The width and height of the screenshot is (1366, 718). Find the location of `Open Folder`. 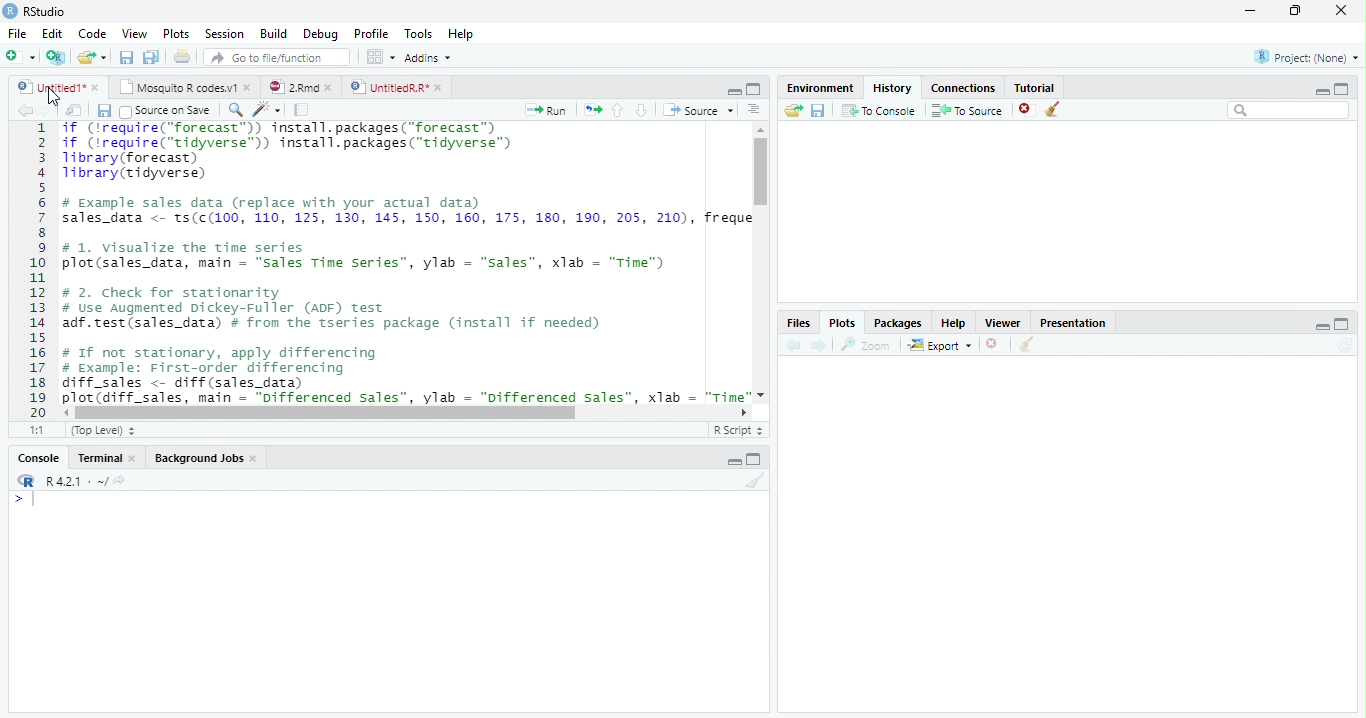

Open Folder is located at coordinates (93, 55).